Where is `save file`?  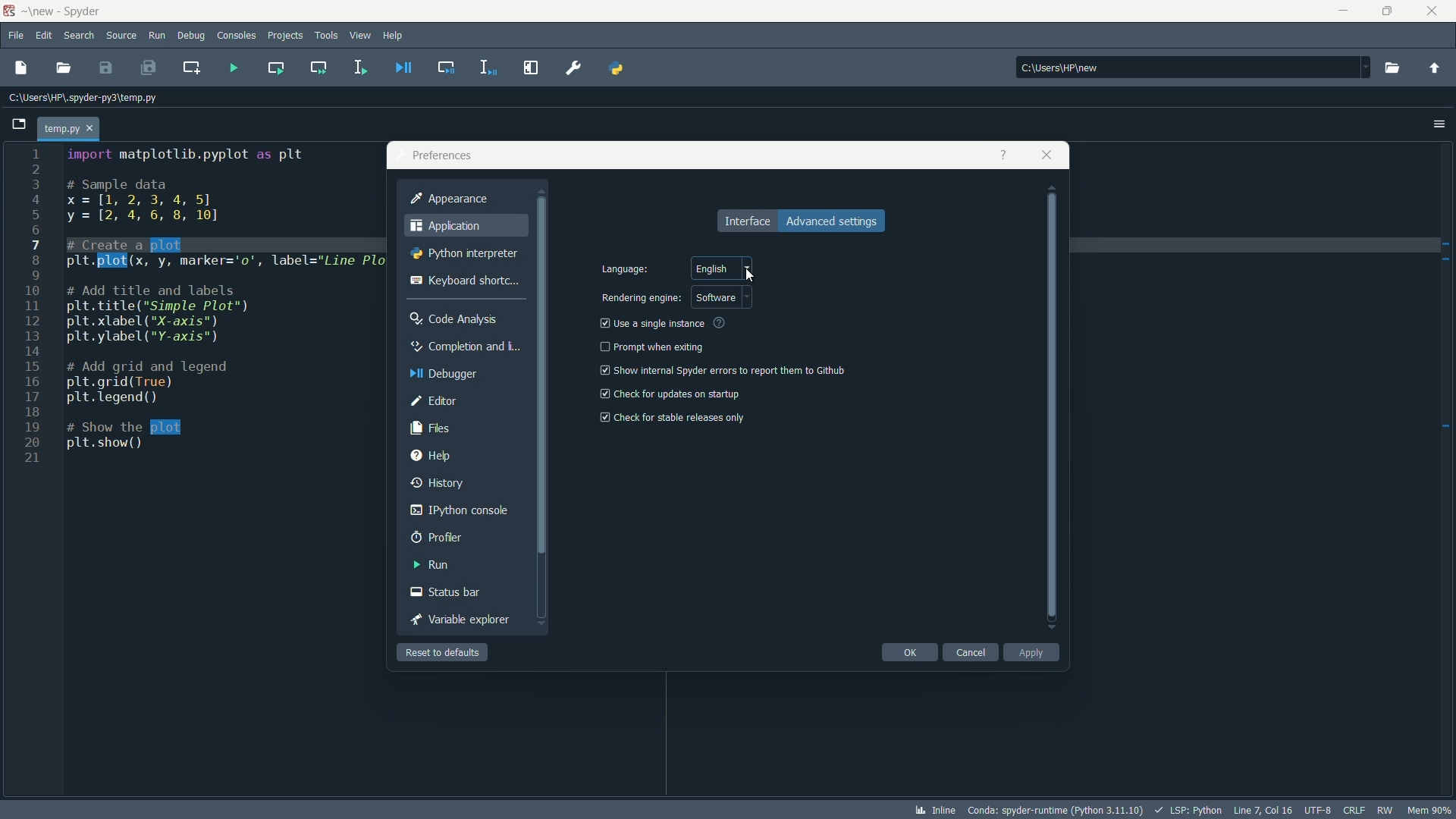
save file is located at coordinates (106, 68).